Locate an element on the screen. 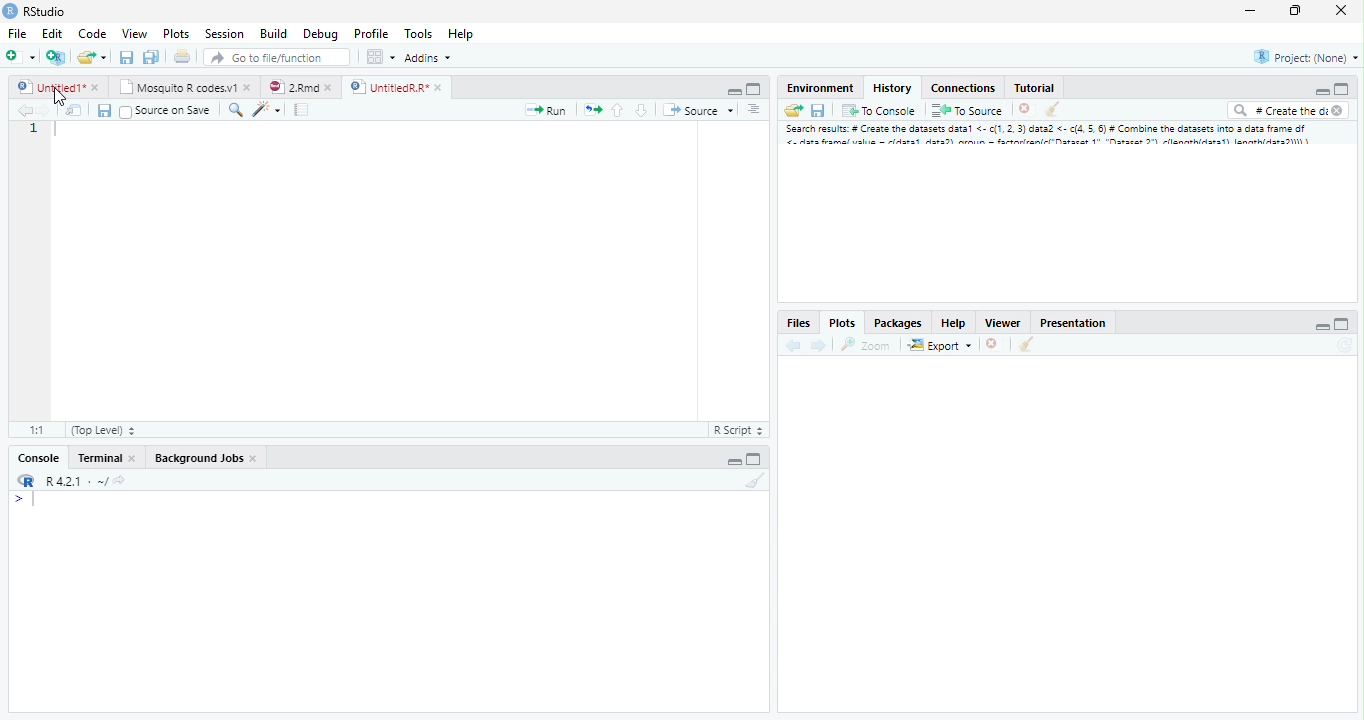 This screenshot has width=1364, height=720. Maximize is located at coordinates (754, 88).